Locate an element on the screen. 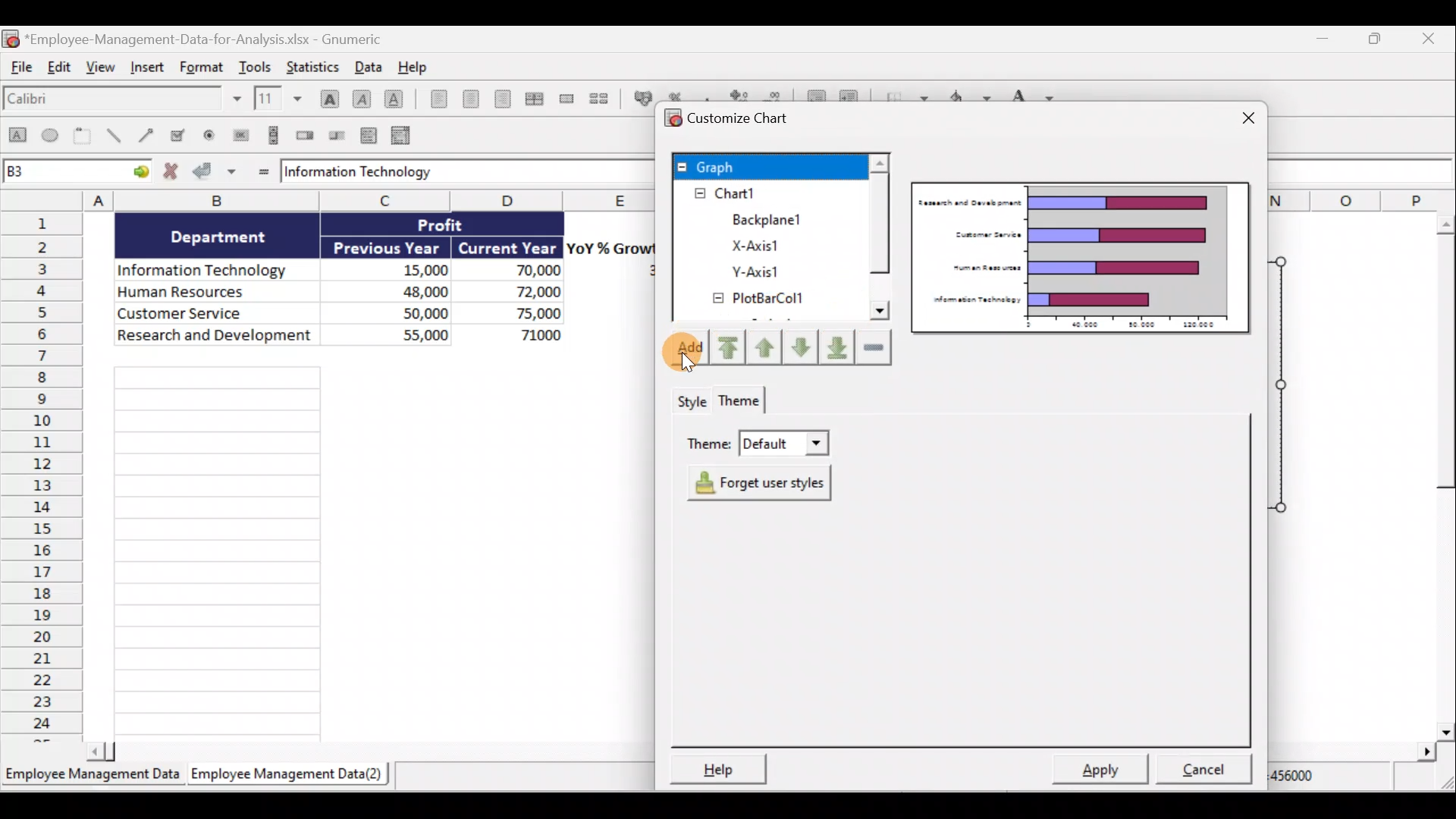 The image size is (1456, 819). Move up is located at coordinates (764, 347).